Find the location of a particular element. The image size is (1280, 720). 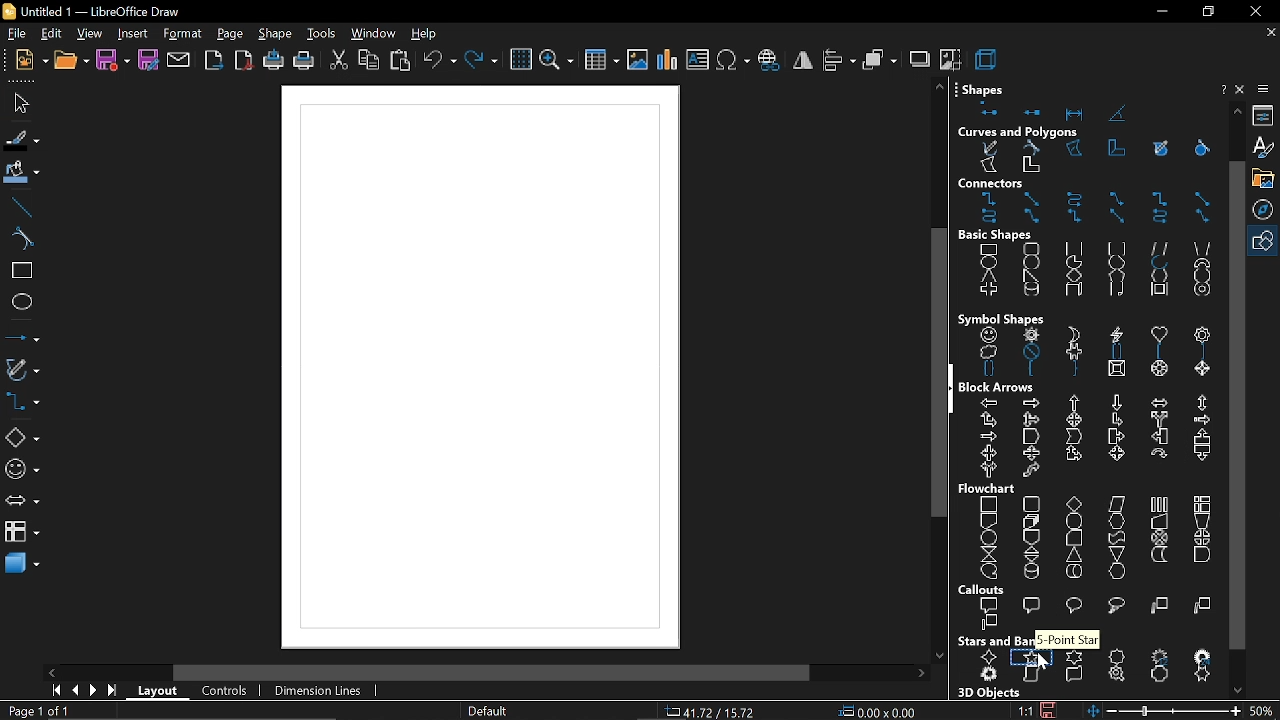

shape is located at coordinates (276, 34).